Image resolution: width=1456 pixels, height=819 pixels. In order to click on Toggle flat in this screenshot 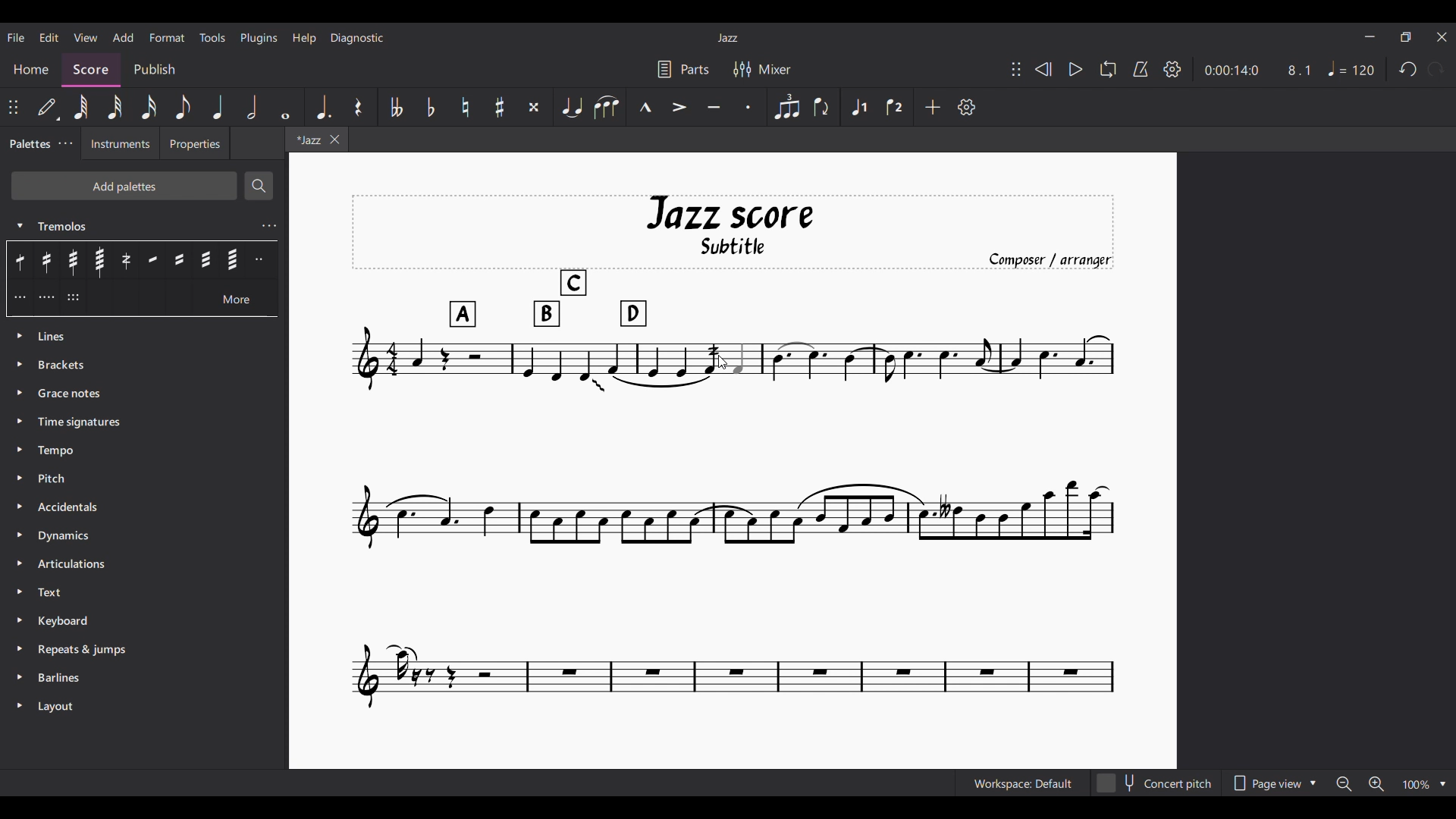, I will do `click(431, 107)`.